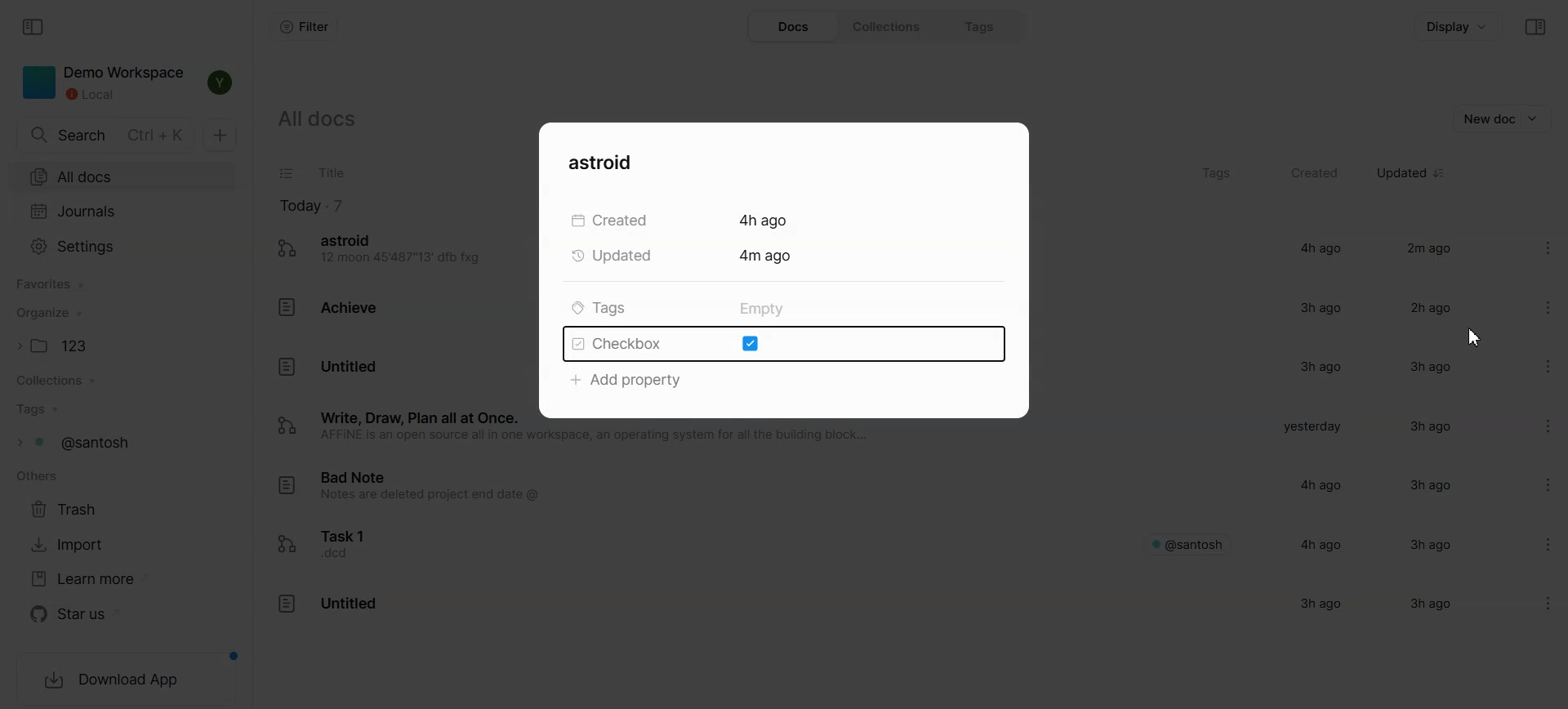 Image resolution: width=1568 pixels, height=709 pixels. Describe the element at coordinates (1313, 368) in the screenshot. I see `3h ago` at that location.